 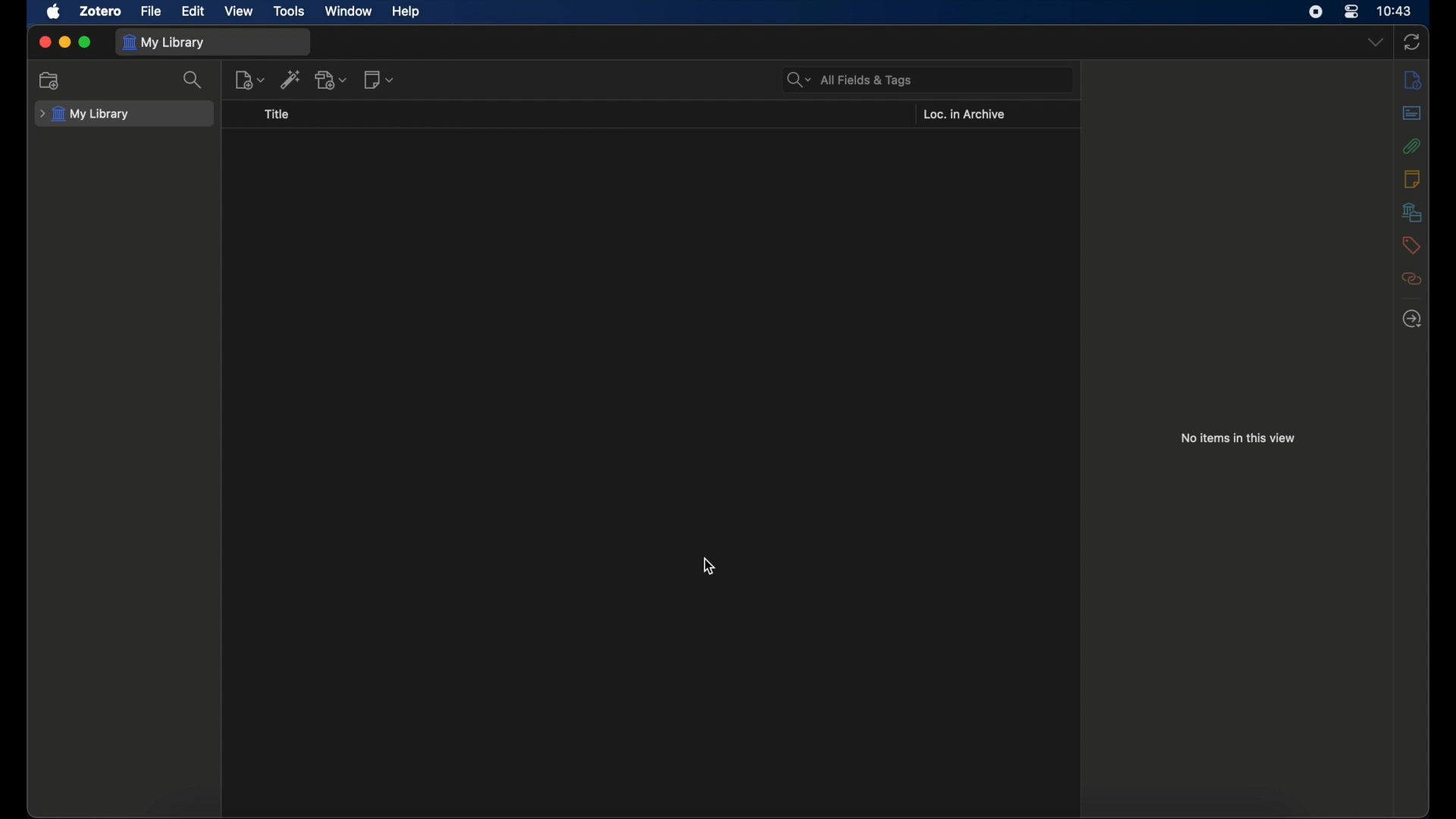 I want to click on tags, so click(x=1411, y=244).